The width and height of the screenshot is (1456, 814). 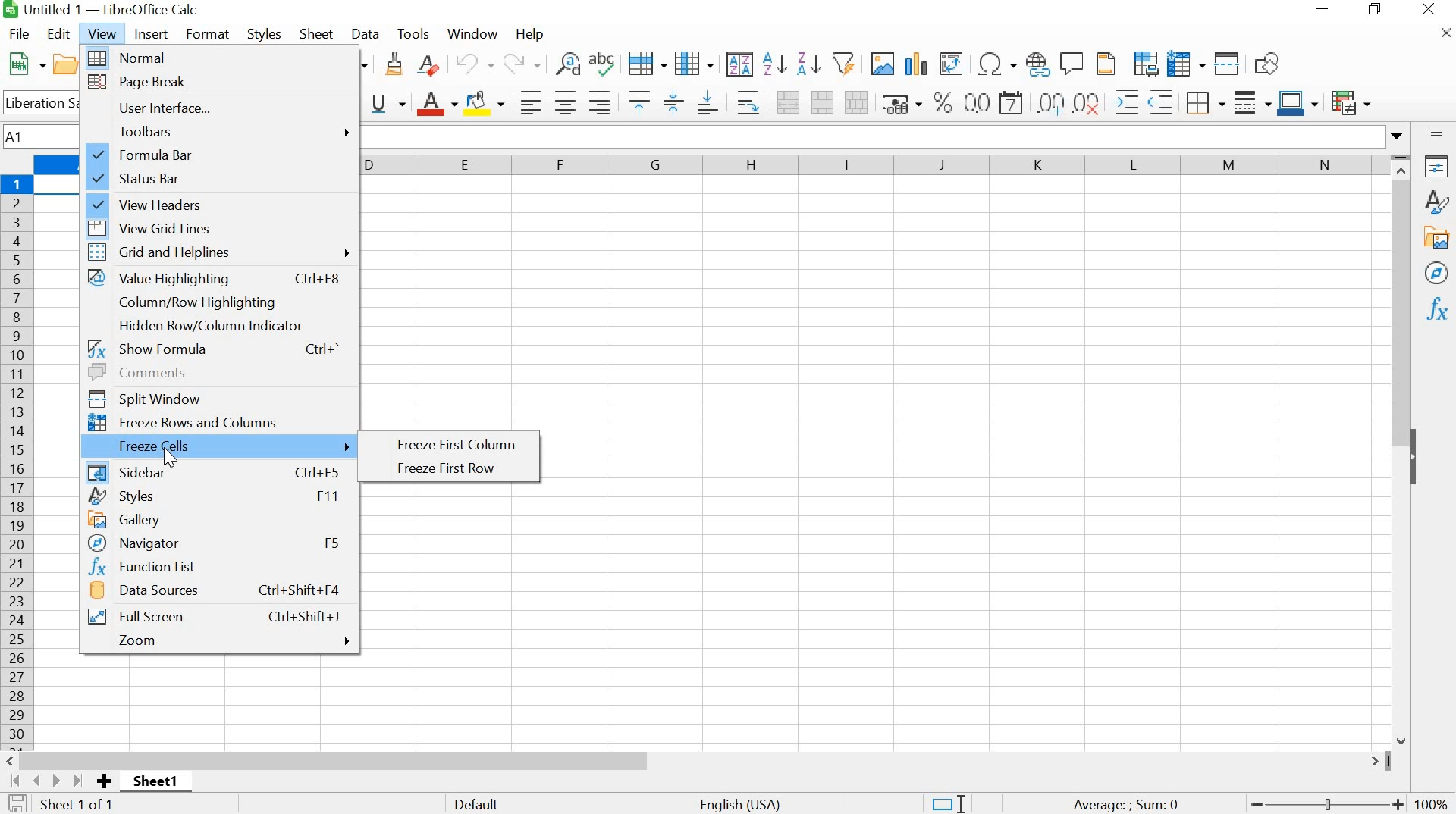 What do you see at coordinates (605, 65) in the screenshot?
I see `SPELLING` at bounding box center [605, 65].